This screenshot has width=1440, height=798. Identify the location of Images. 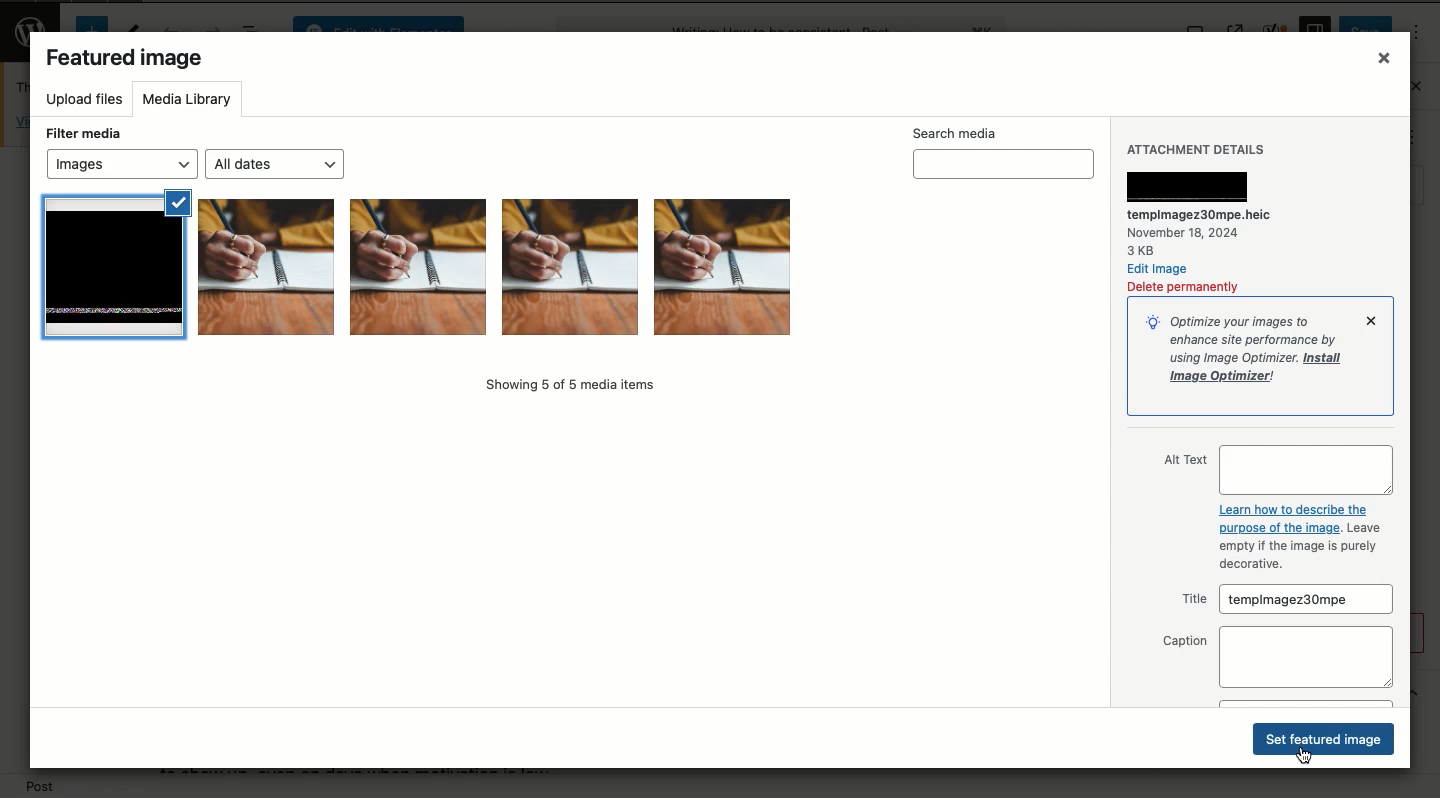
(416, 270).